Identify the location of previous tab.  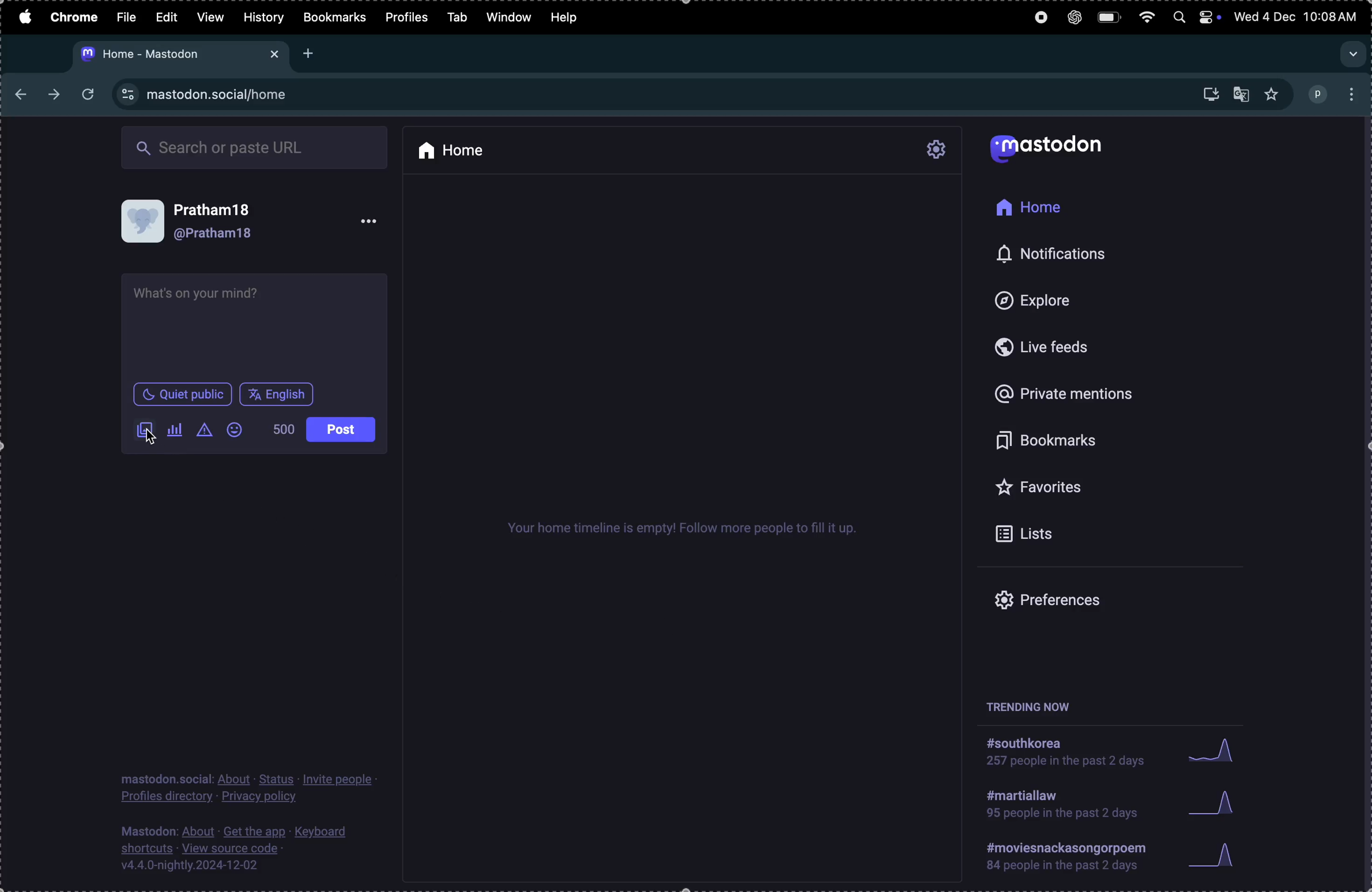
(25, 95).